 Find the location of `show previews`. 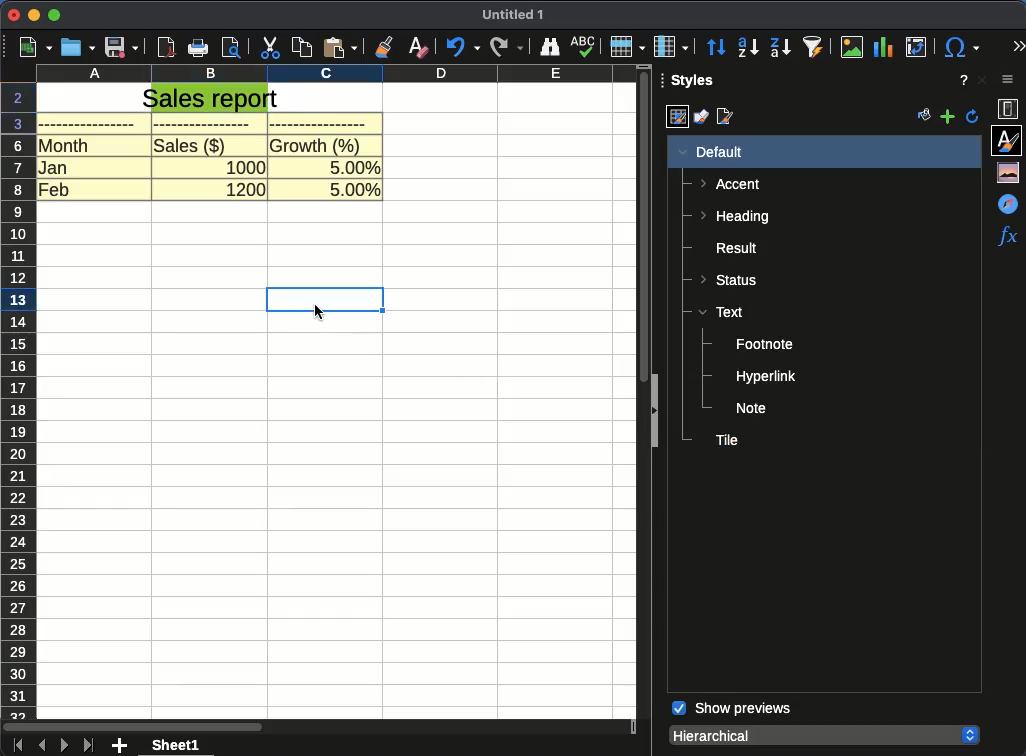

show previews is located at coordinates (732, 709).